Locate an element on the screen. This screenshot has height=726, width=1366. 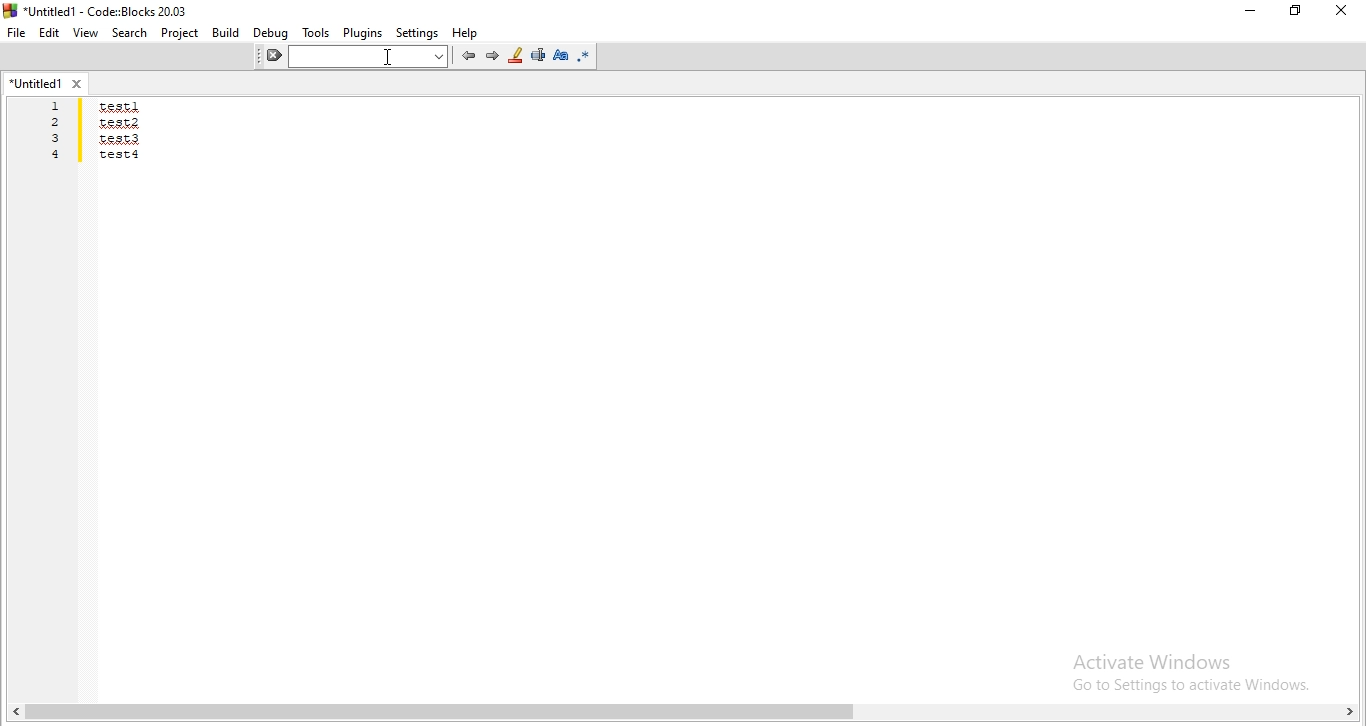
match case is located at coordinates (561, 54).